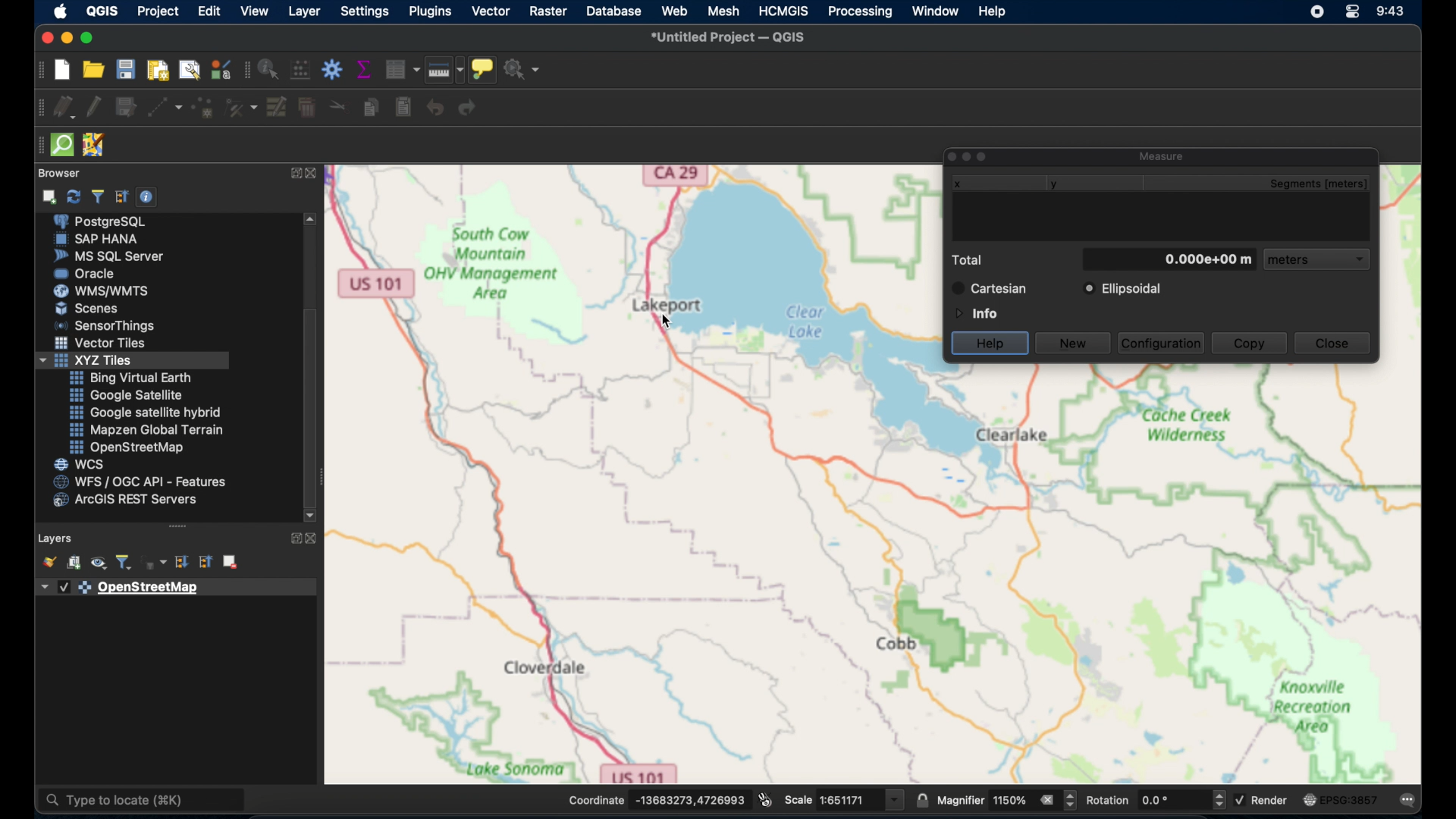  Describe the element at coordinates (304, 11) in the screenshot. I see `layer` at that location.